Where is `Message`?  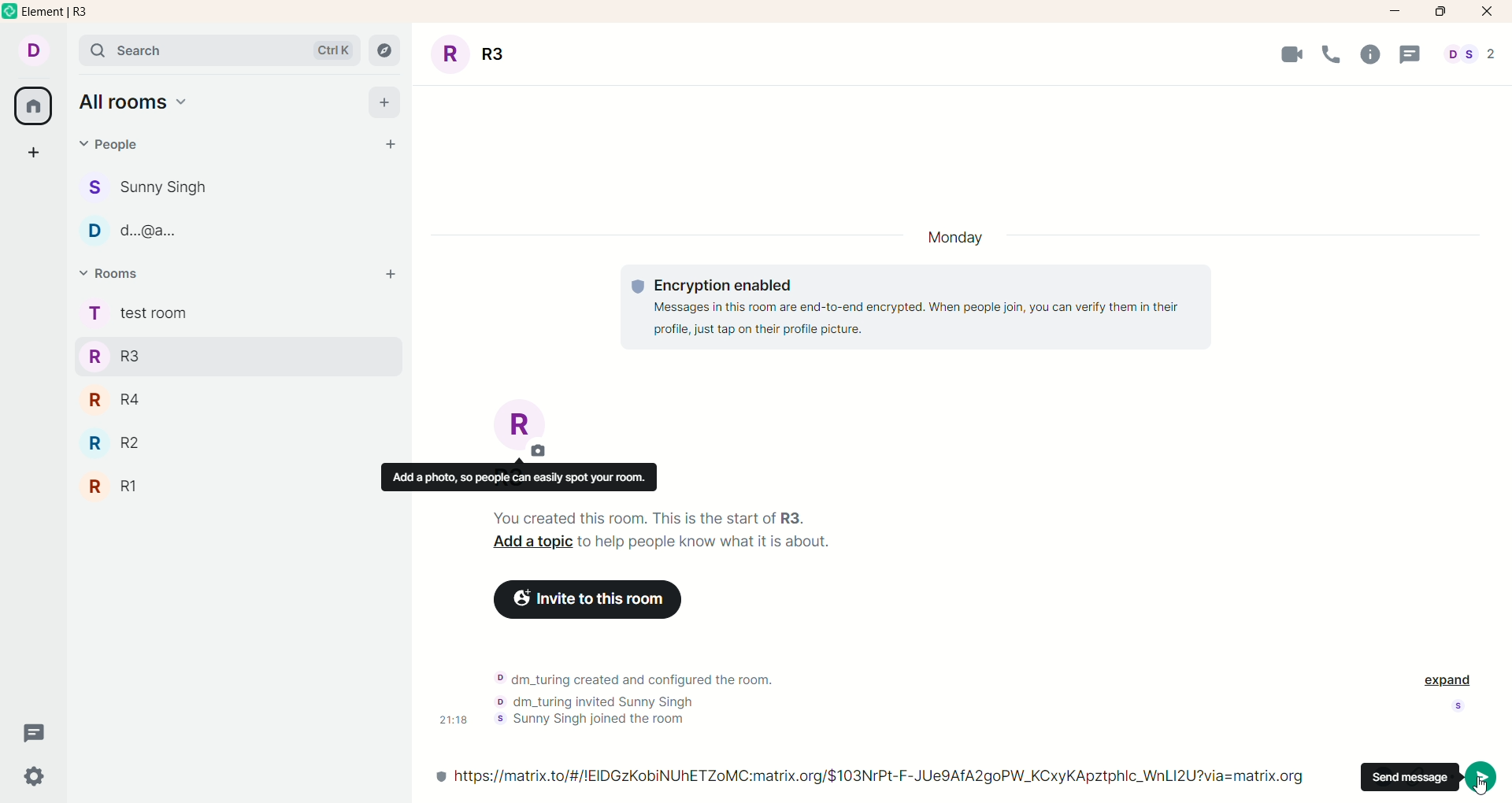
Message is located at coordinates (1414, 53).